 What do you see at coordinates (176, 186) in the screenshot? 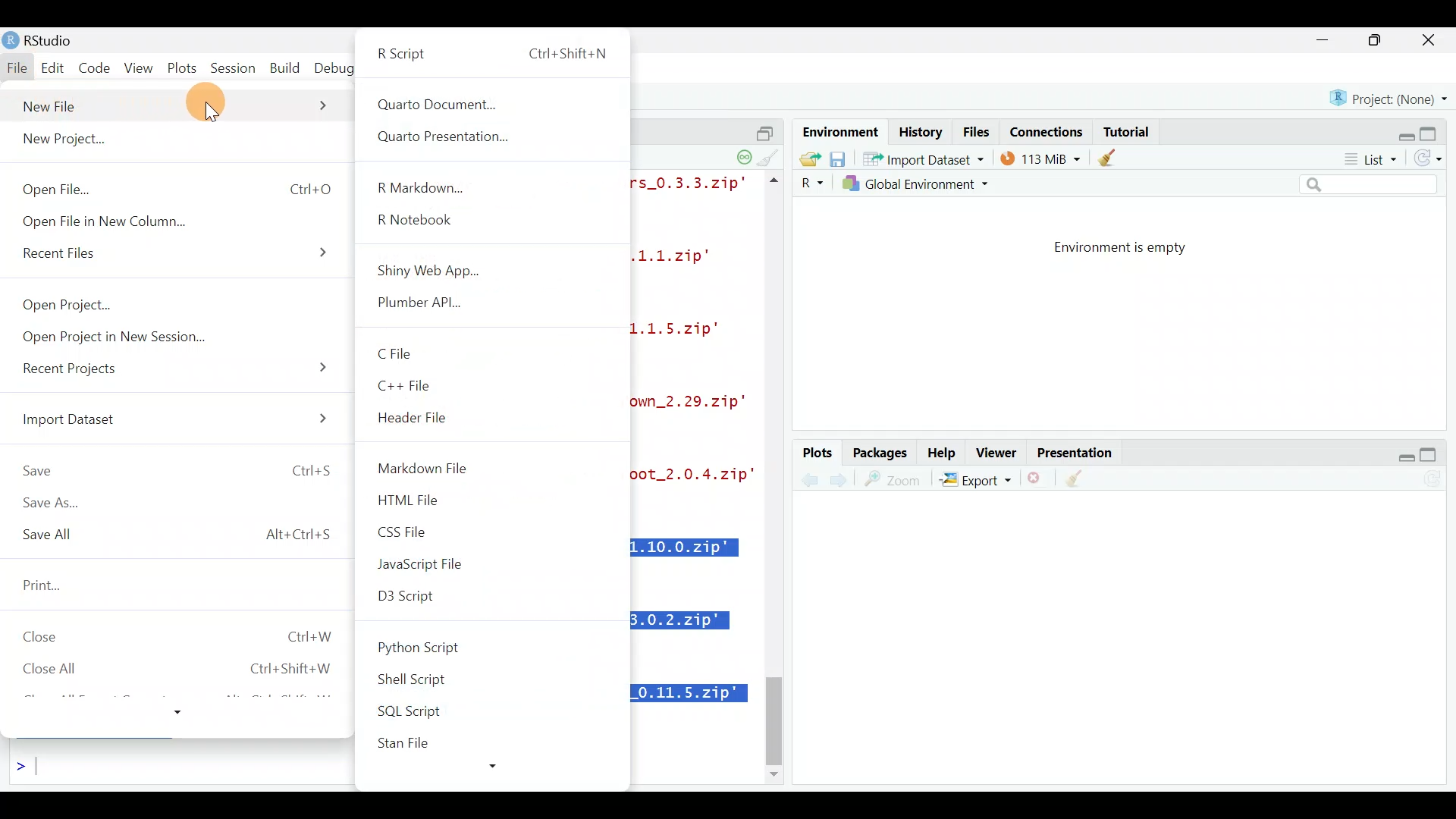
I see `Open File... Ctrl+0` at bounding box center [176, 186].